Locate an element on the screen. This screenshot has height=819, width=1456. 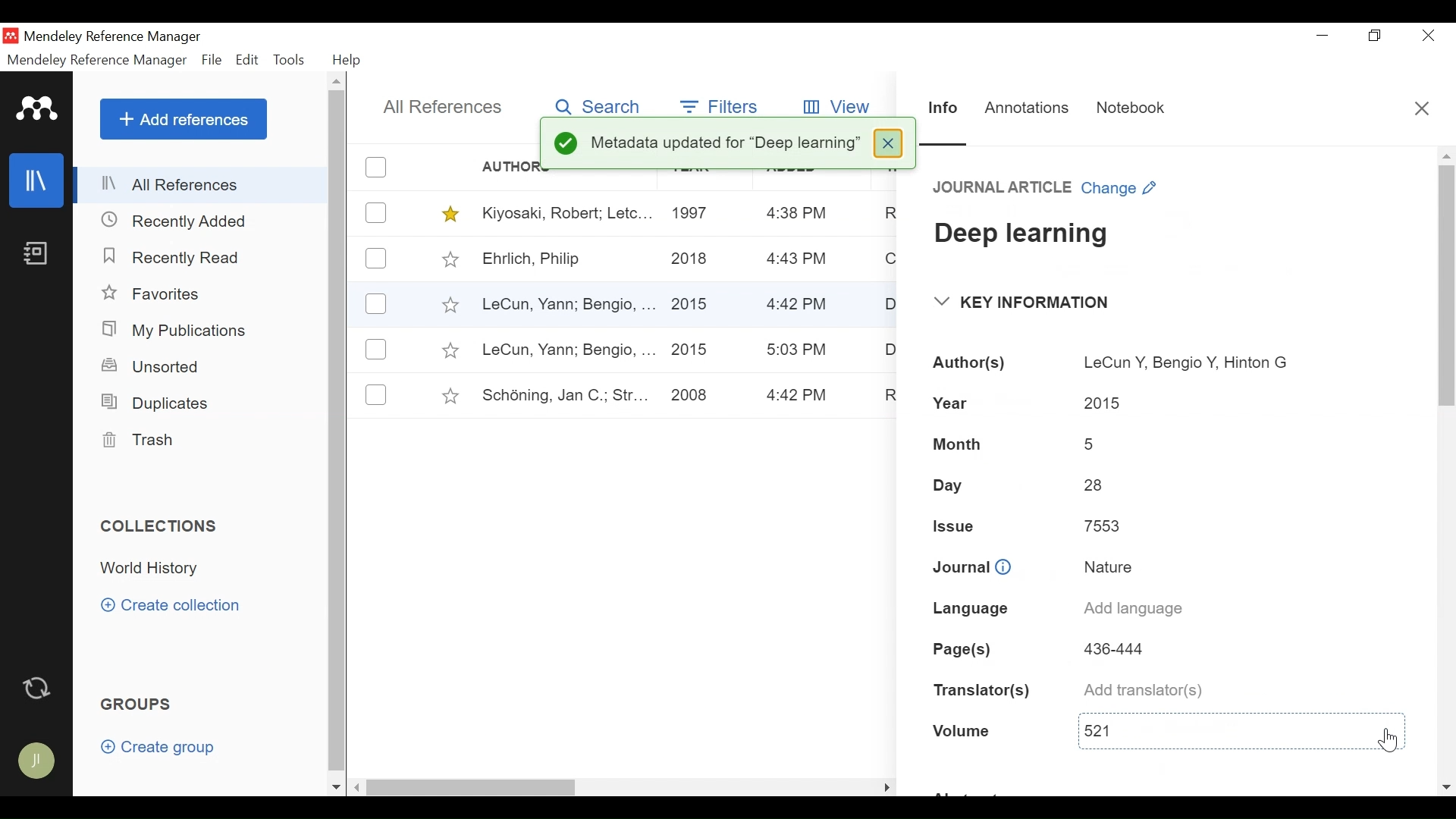
Add translator(s) is located at coordinates (1141, 689).